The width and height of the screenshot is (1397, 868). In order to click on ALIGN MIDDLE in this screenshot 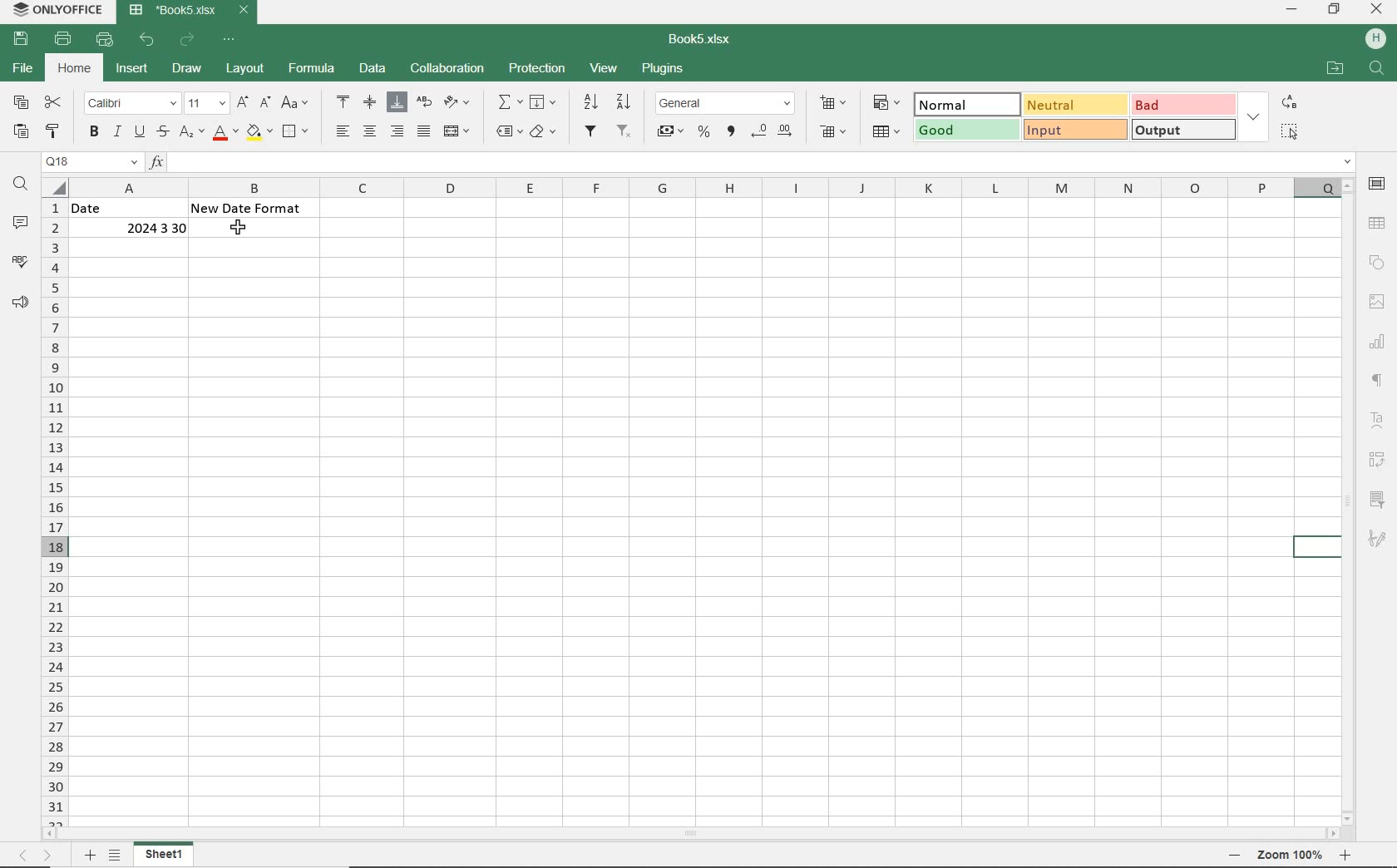, I will do `click(370, 103)`.